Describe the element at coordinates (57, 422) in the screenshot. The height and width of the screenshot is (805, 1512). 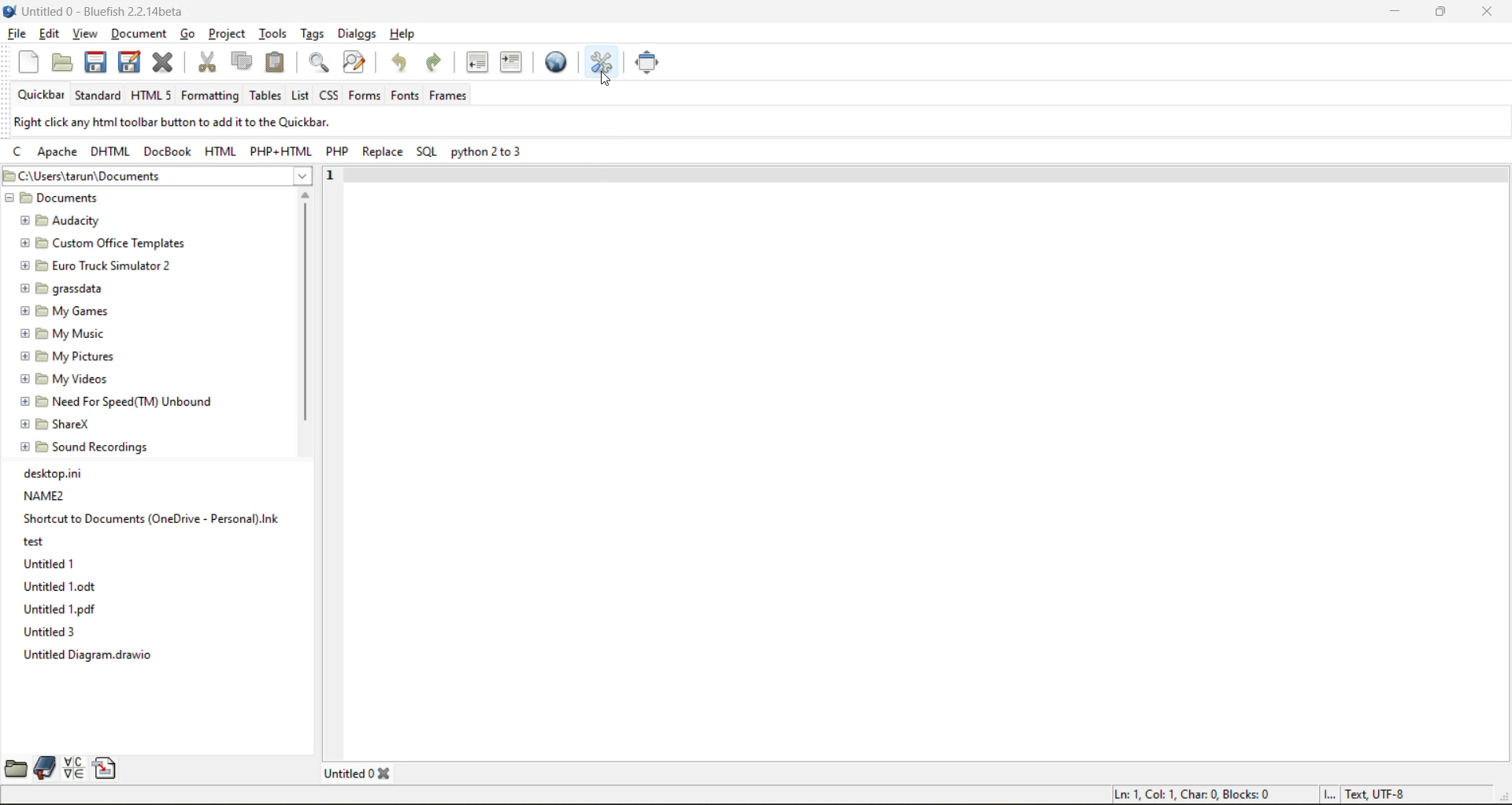
I see `® EB ShareX` at that location.